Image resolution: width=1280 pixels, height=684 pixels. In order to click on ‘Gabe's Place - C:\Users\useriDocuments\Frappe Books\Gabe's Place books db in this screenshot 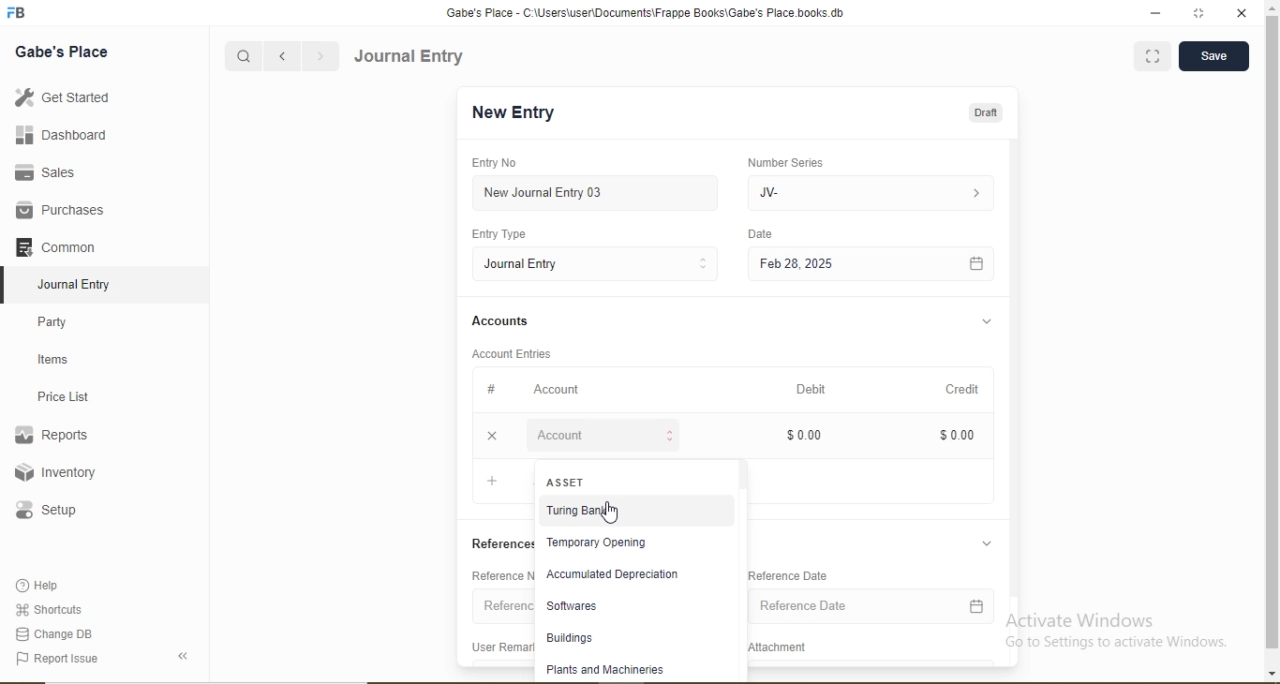, I will do `click(652, 13)`.